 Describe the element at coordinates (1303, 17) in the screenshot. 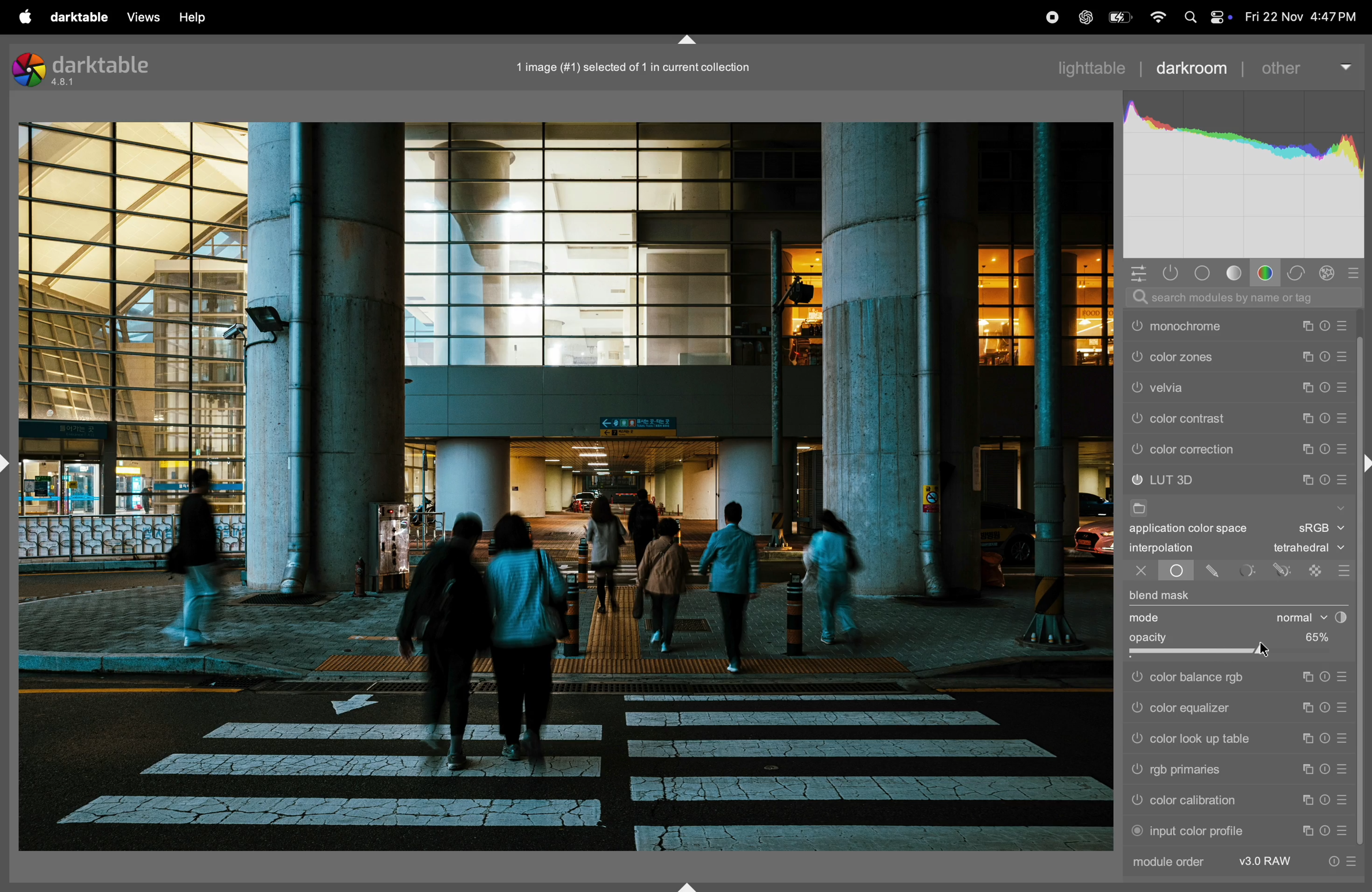

I see `date and time` at that location.